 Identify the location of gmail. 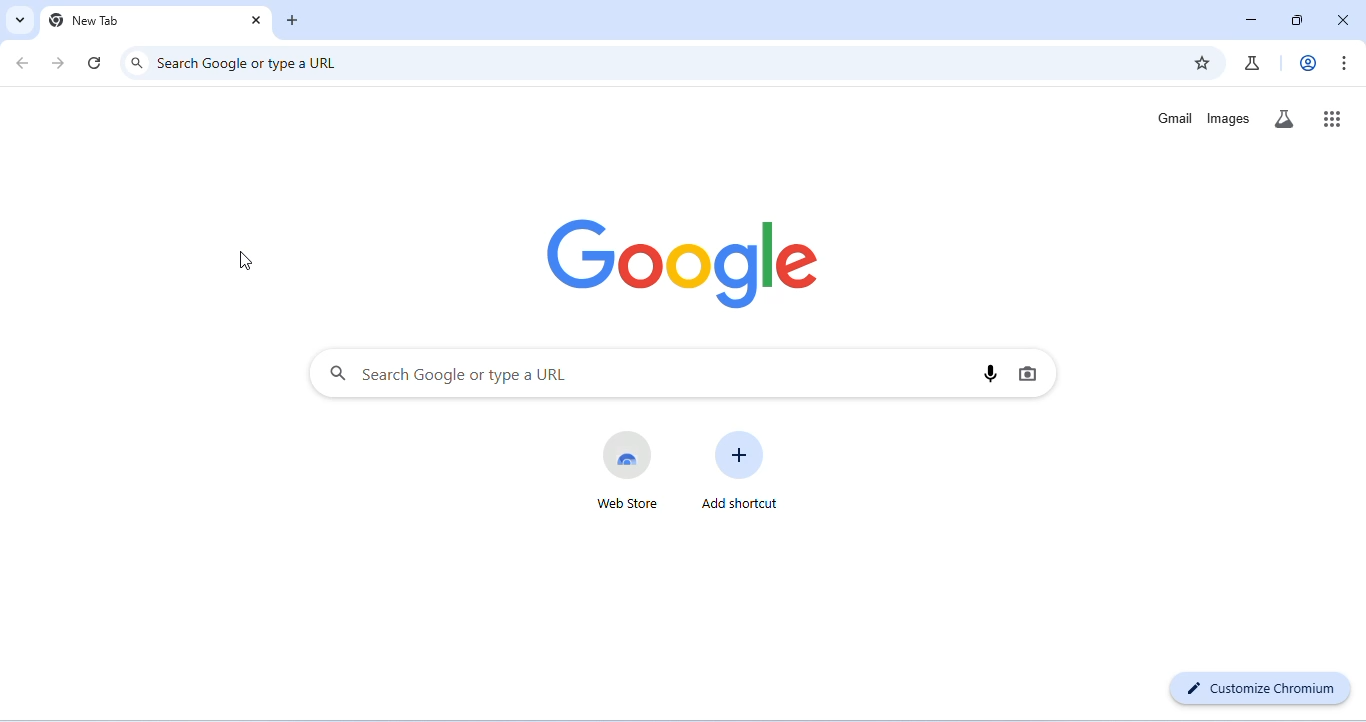
(1176, 118).